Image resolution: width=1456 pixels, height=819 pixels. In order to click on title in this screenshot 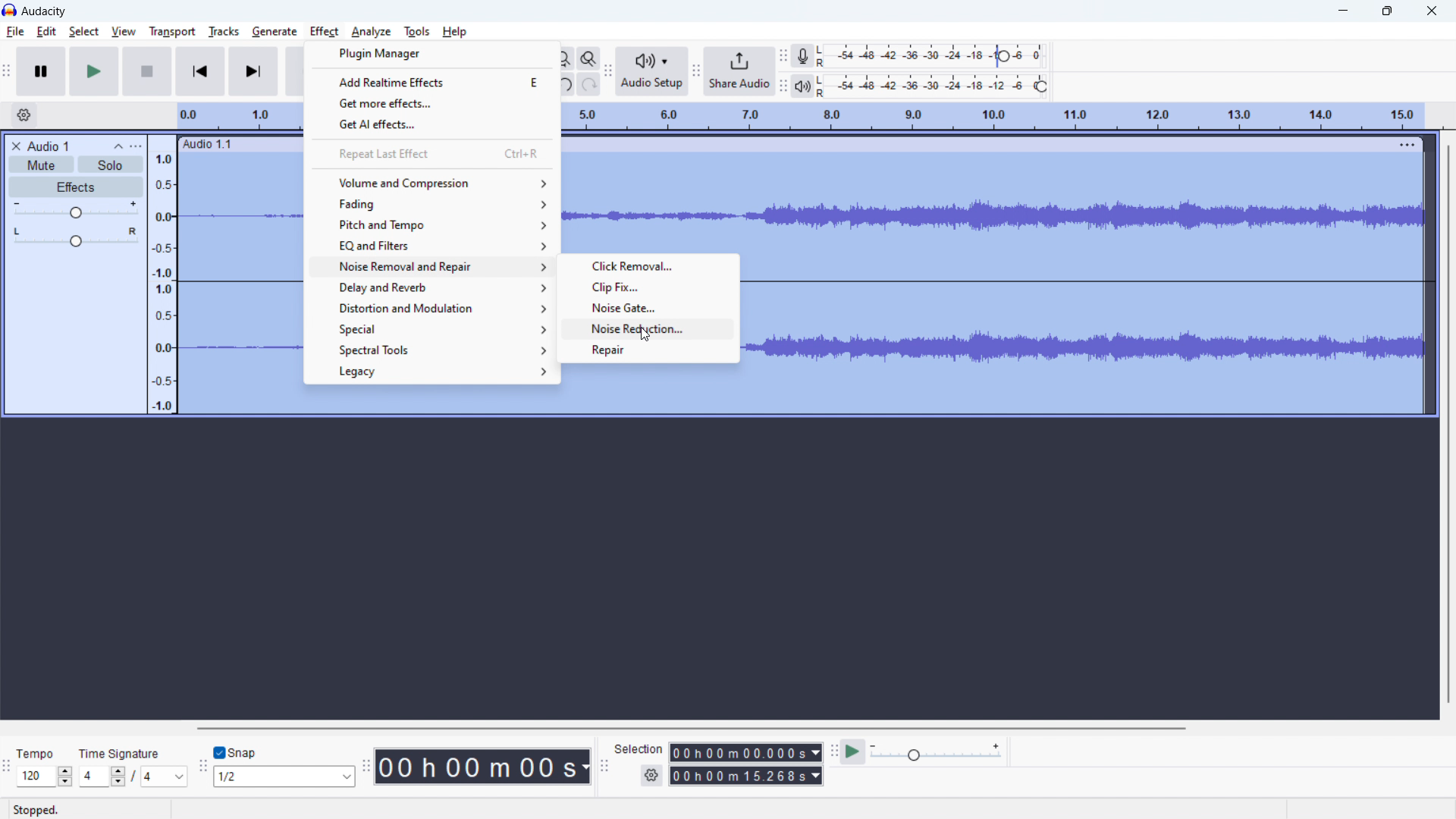, I will do `click(45, 11)`.